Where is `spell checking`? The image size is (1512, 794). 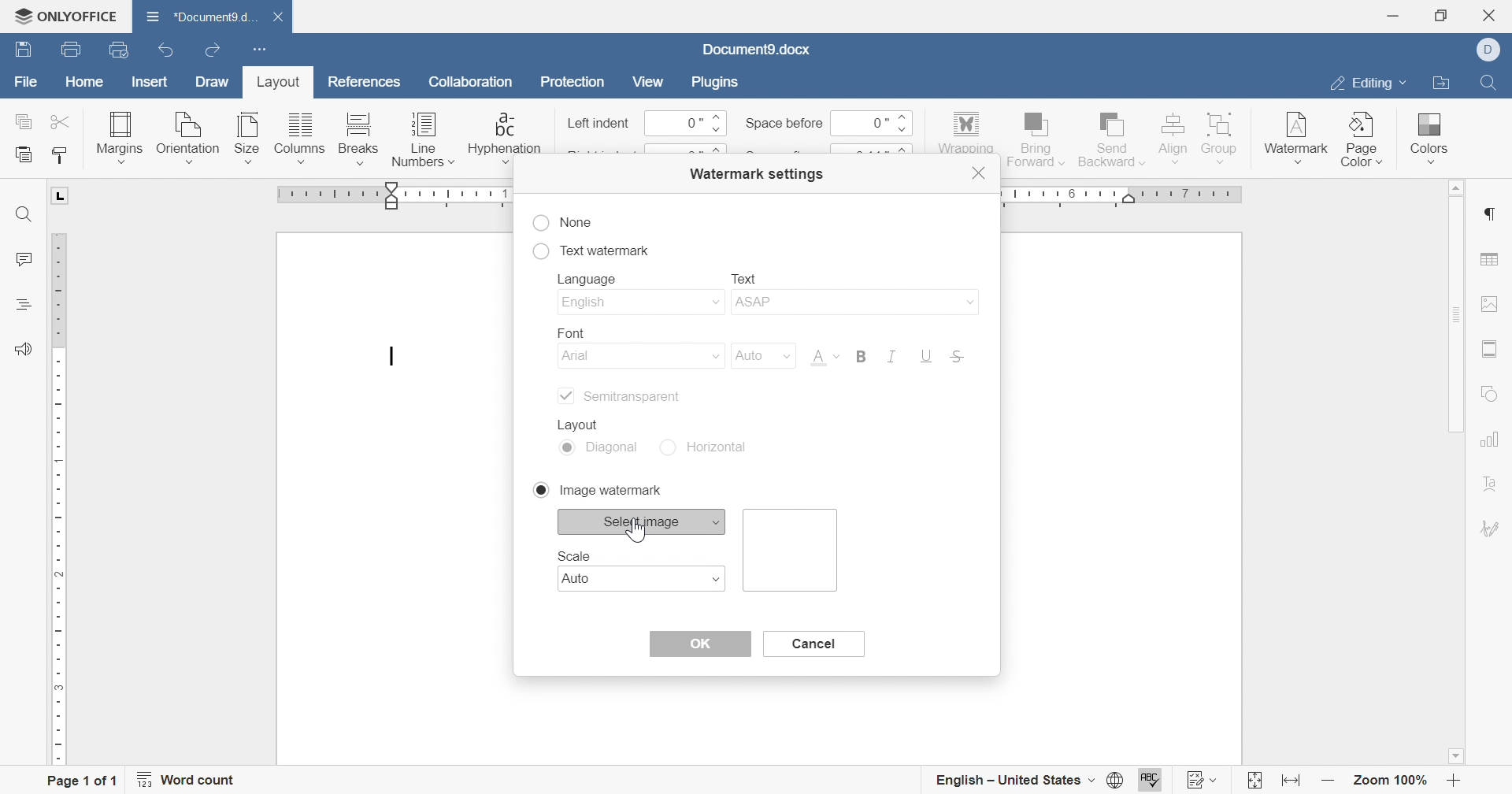 spell checking is located at coordinates (1152, 781).